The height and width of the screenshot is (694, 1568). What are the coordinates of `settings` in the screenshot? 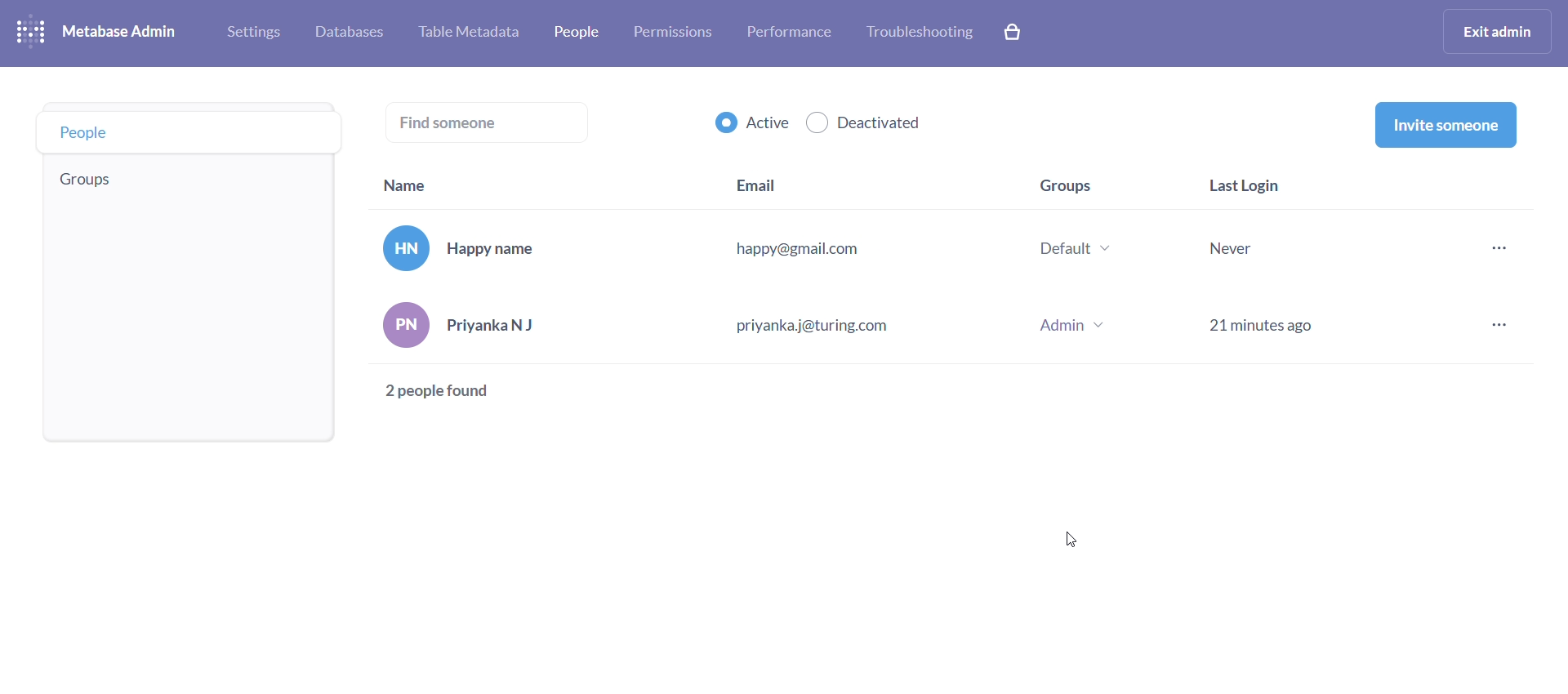 It's located at (252, 31).